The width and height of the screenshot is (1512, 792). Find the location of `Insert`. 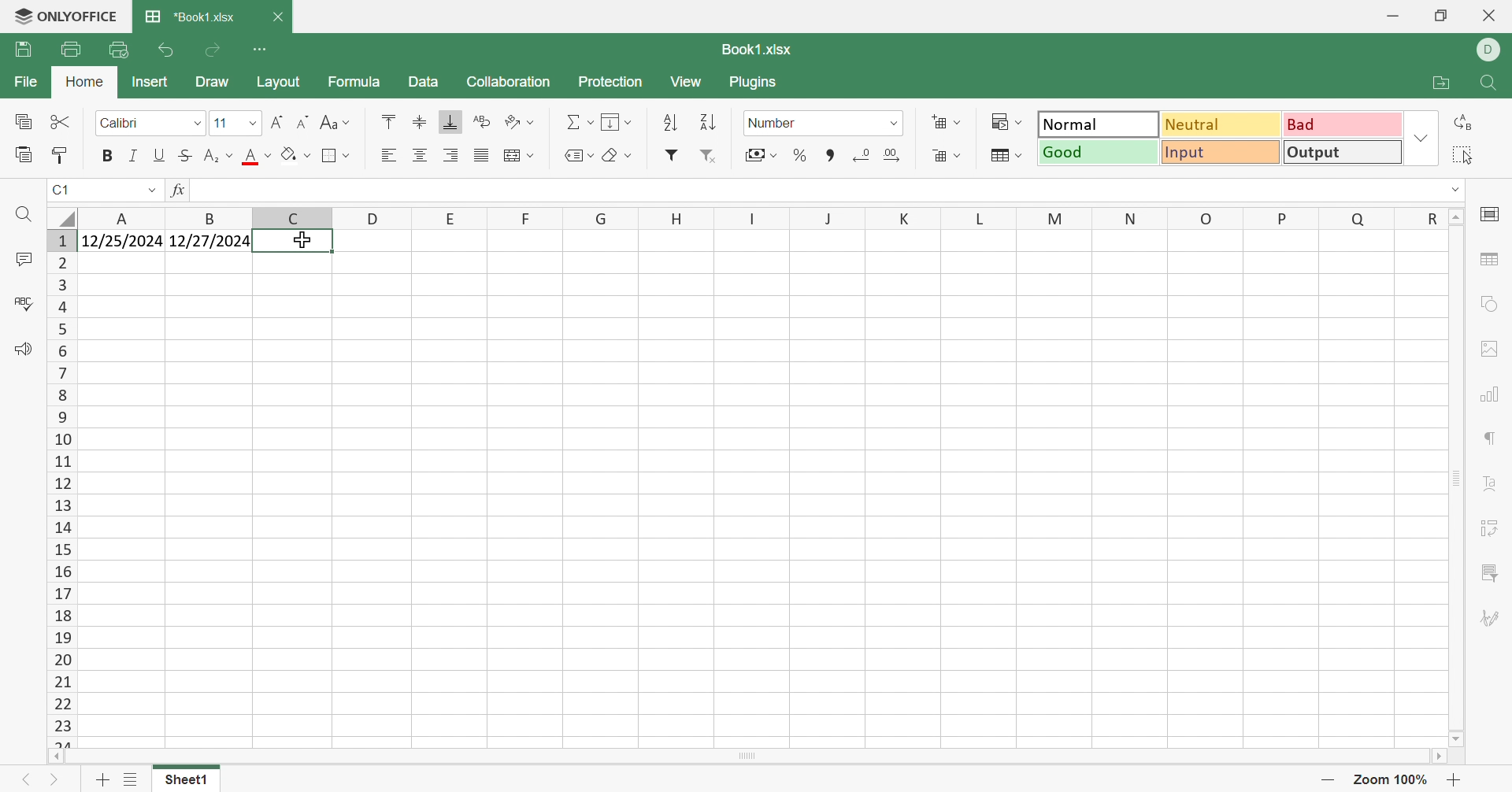

Insert is located at coordinates (150, 82).